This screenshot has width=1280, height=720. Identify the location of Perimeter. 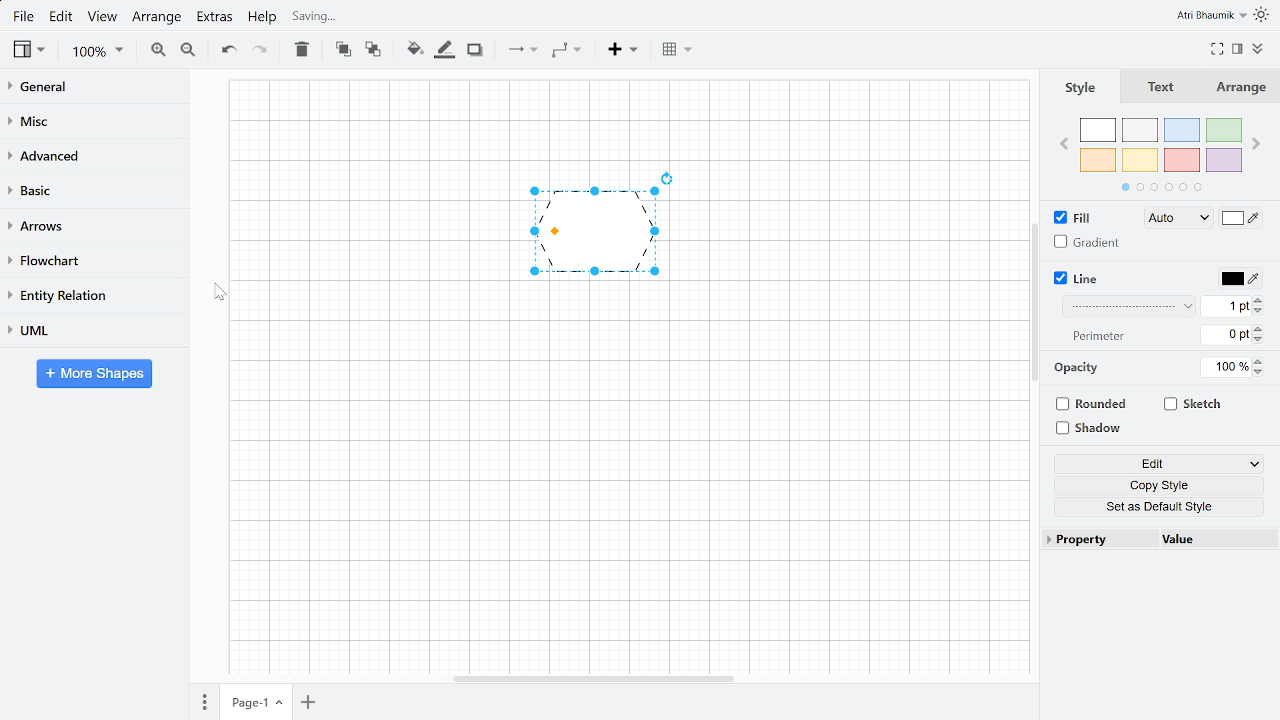
(1100, 335).